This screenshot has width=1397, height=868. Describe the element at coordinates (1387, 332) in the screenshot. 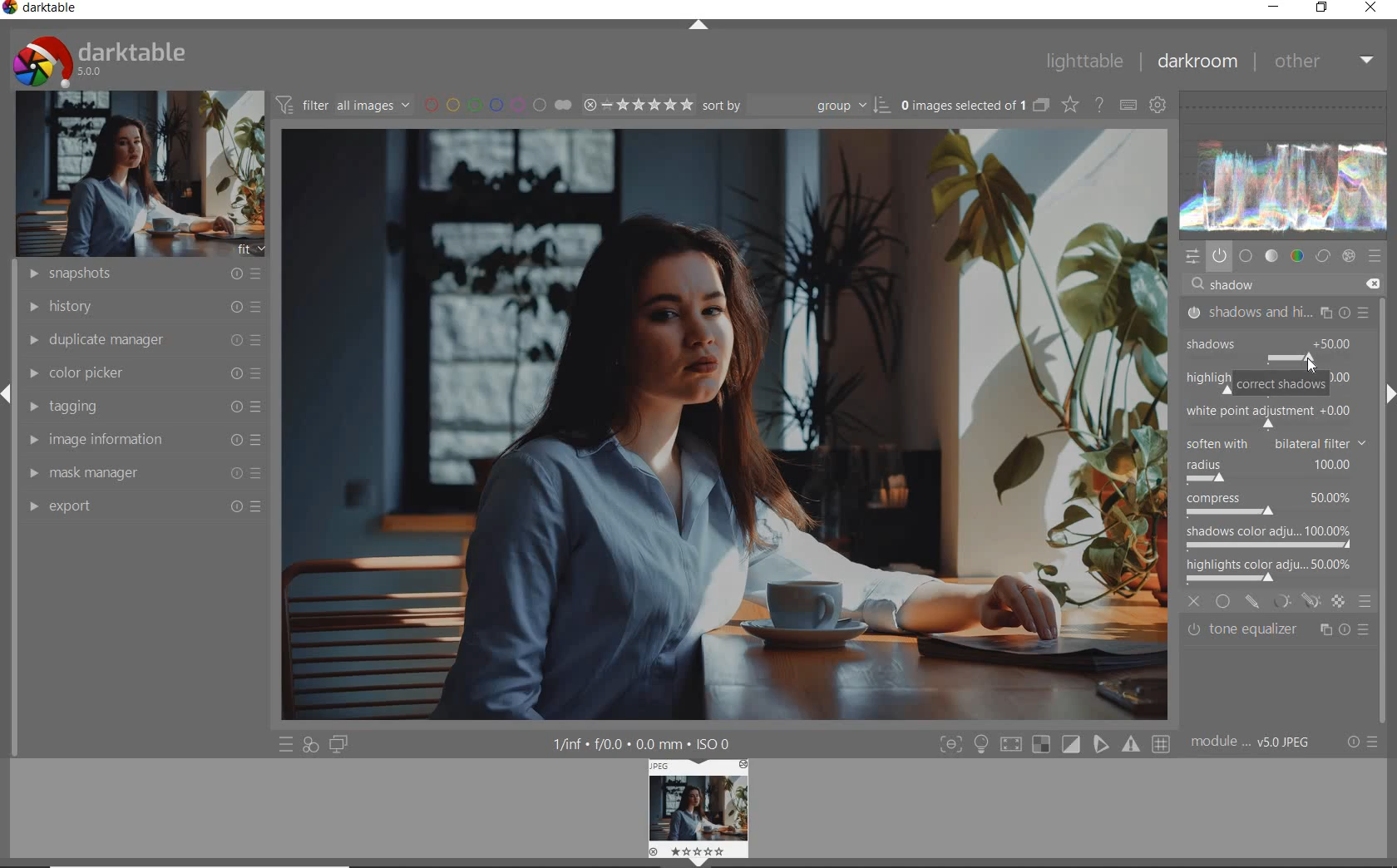

I see `scrollbar` at that location.